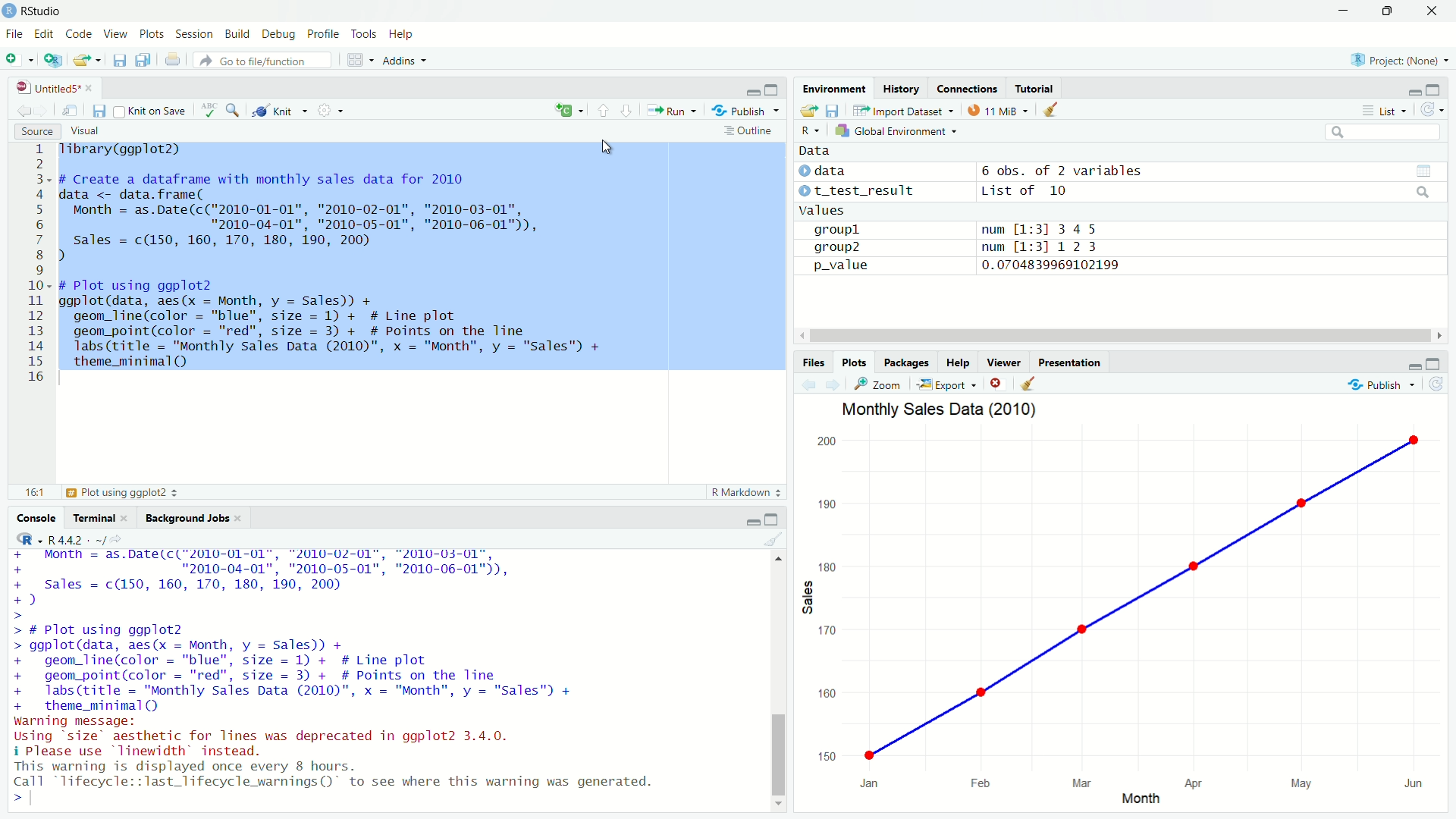  What do you see at coordinates (121, 492) in the screenshot?
I see `Plot using ggplot2` at bounding box center [121, 492].